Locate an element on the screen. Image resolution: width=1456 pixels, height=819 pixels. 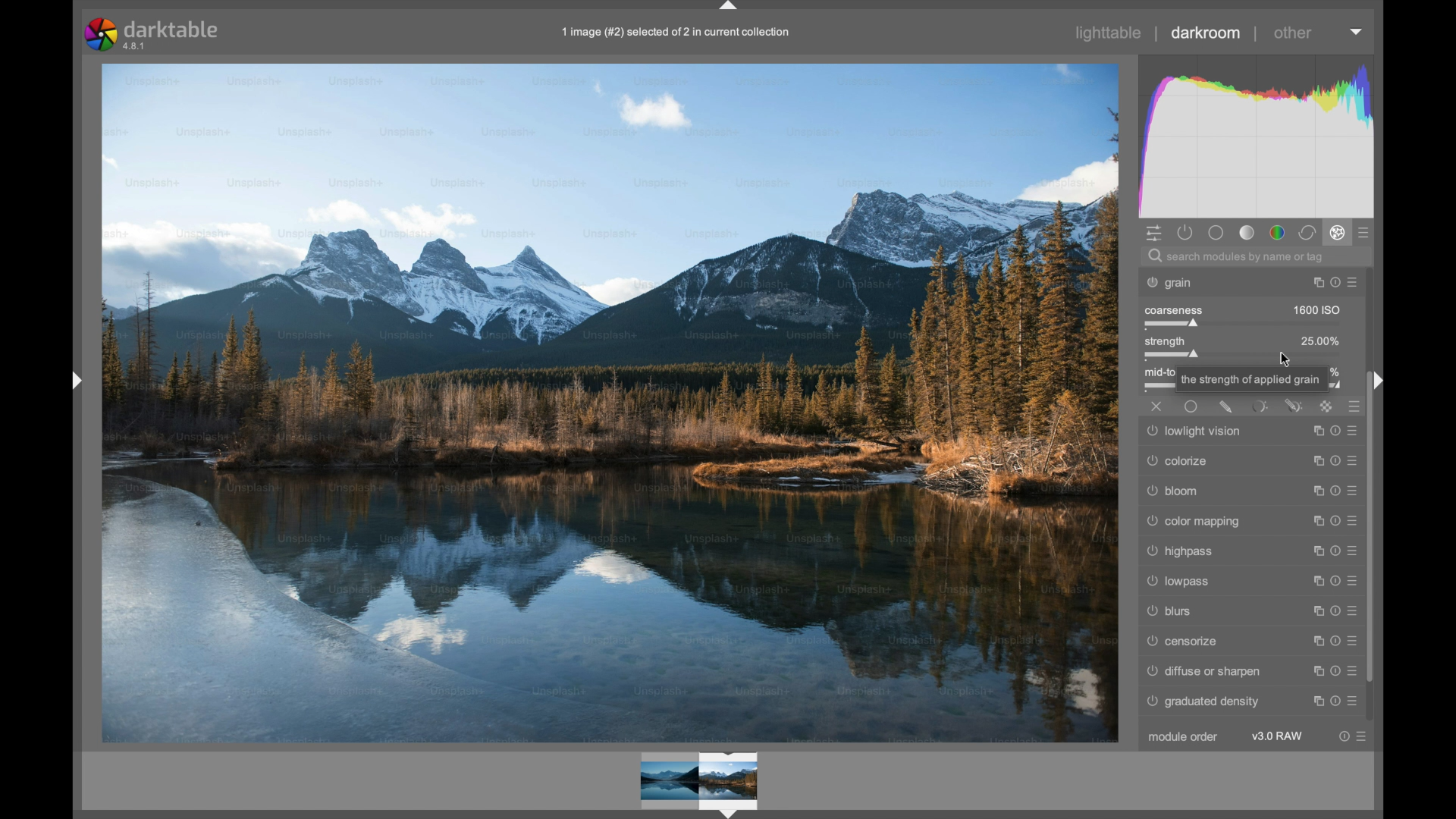
color is located at coordinates (1277, 233).